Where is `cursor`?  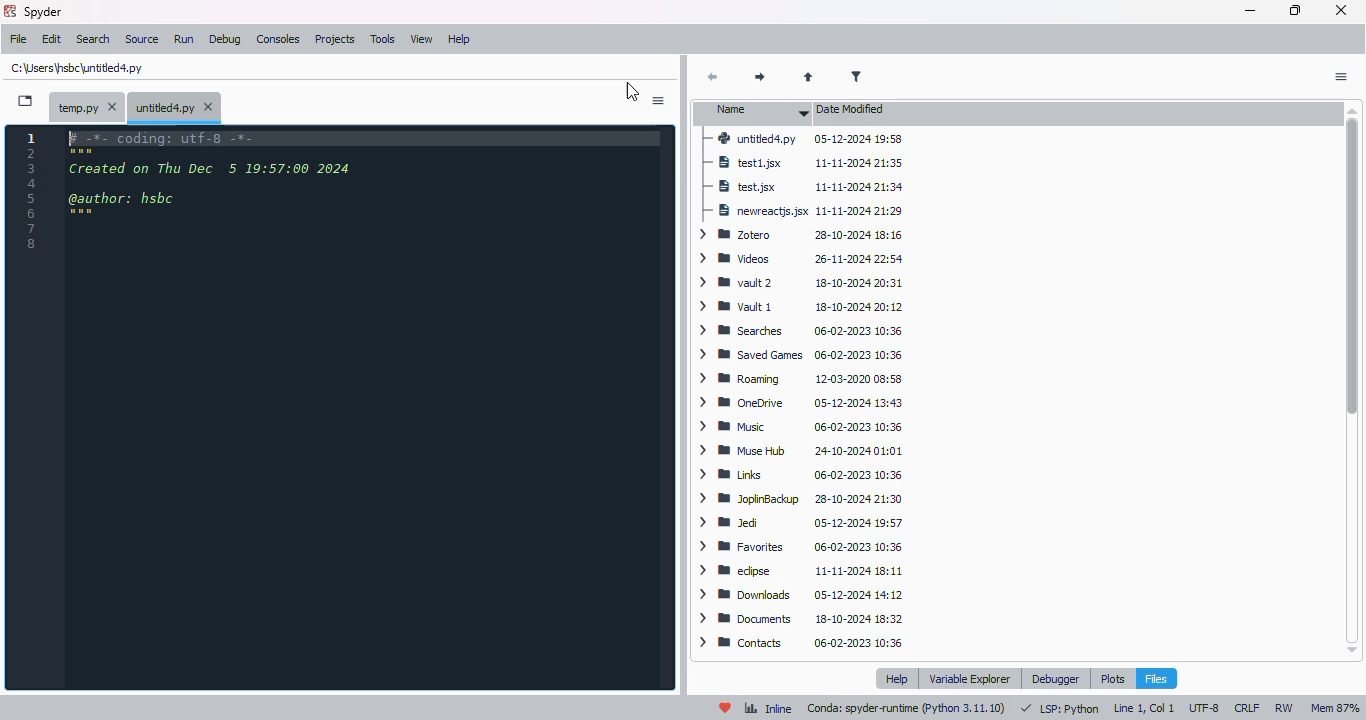
cursor is located at coordinates (632, 93).